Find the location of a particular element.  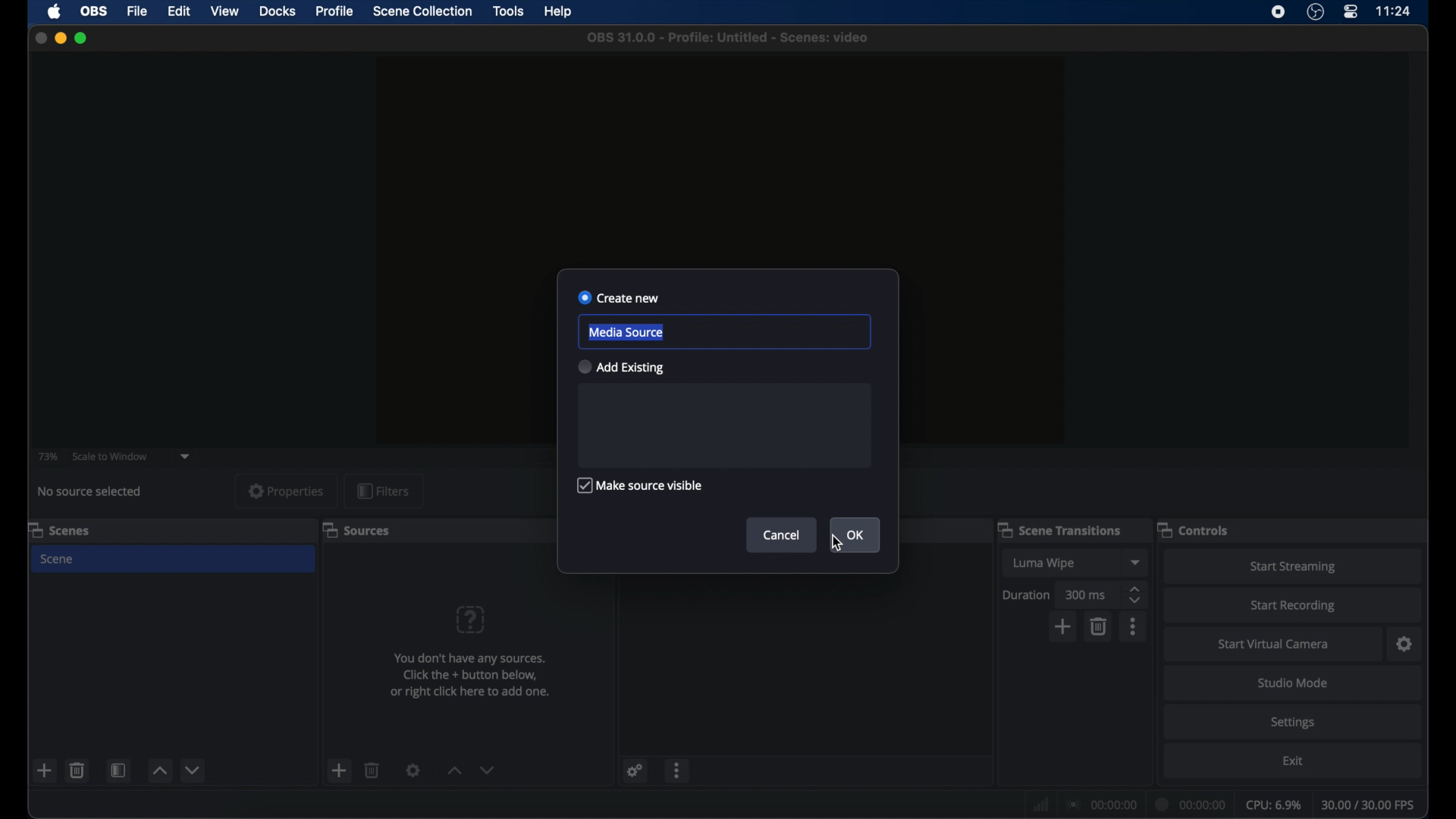

properties is located at coordinates (286, 491).